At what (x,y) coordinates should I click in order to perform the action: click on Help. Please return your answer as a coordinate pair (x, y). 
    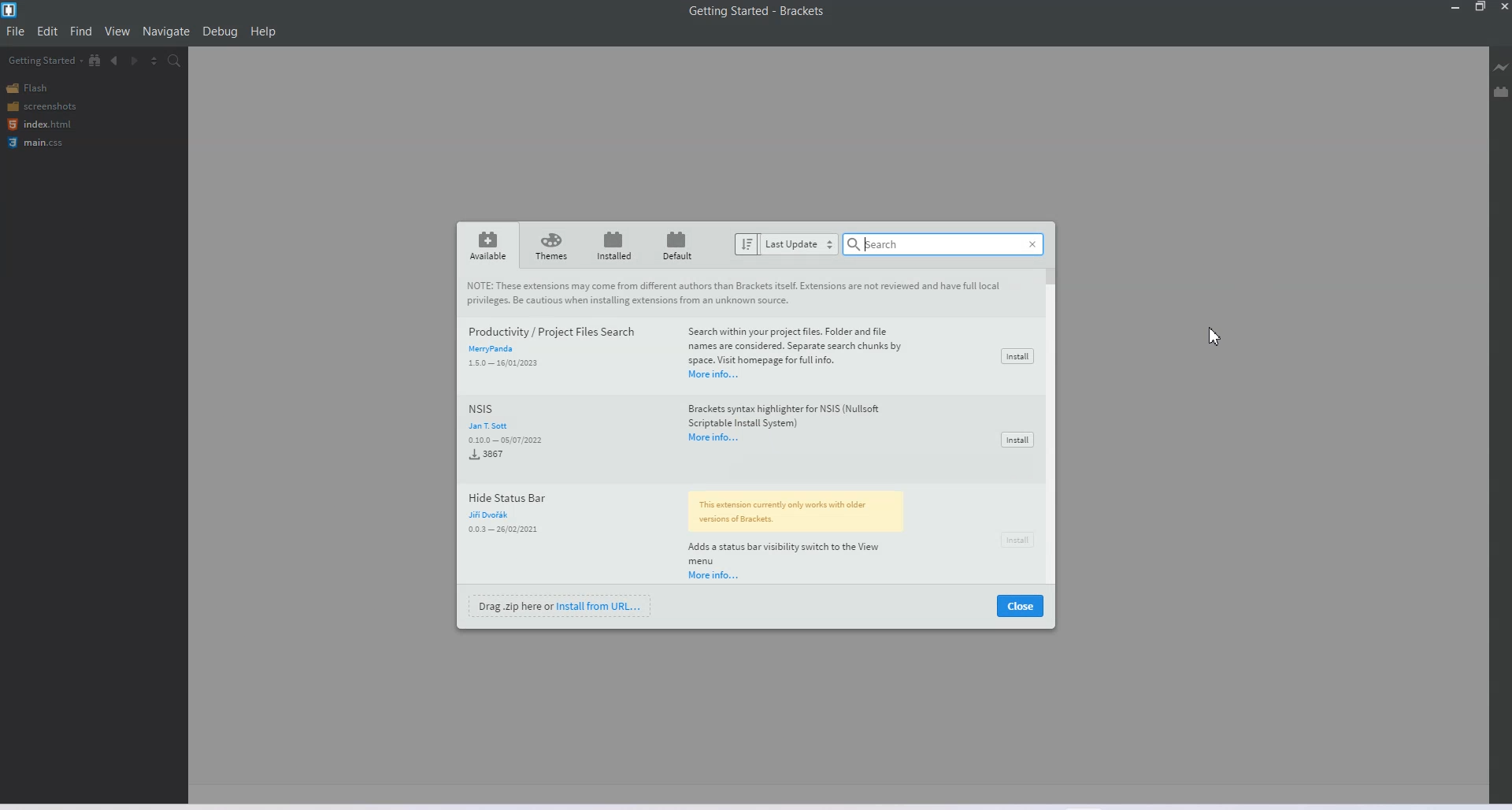
    Looking at the image, I should click on (263, 32).